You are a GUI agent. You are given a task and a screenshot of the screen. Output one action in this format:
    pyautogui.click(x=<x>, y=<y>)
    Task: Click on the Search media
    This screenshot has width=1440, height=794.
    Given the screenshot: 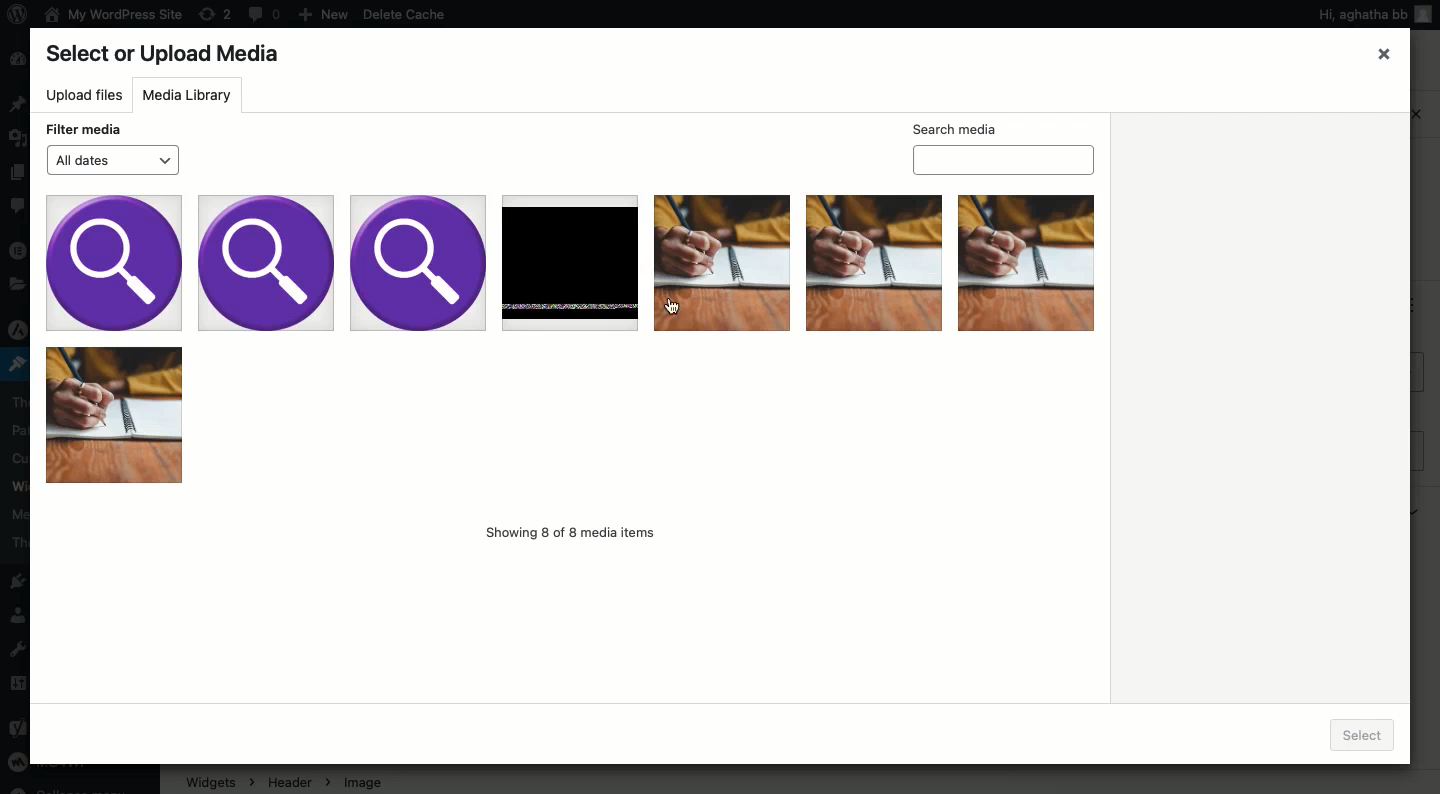 What is the action you would take?
    pyautogui.click(x=1005, y=146)
    